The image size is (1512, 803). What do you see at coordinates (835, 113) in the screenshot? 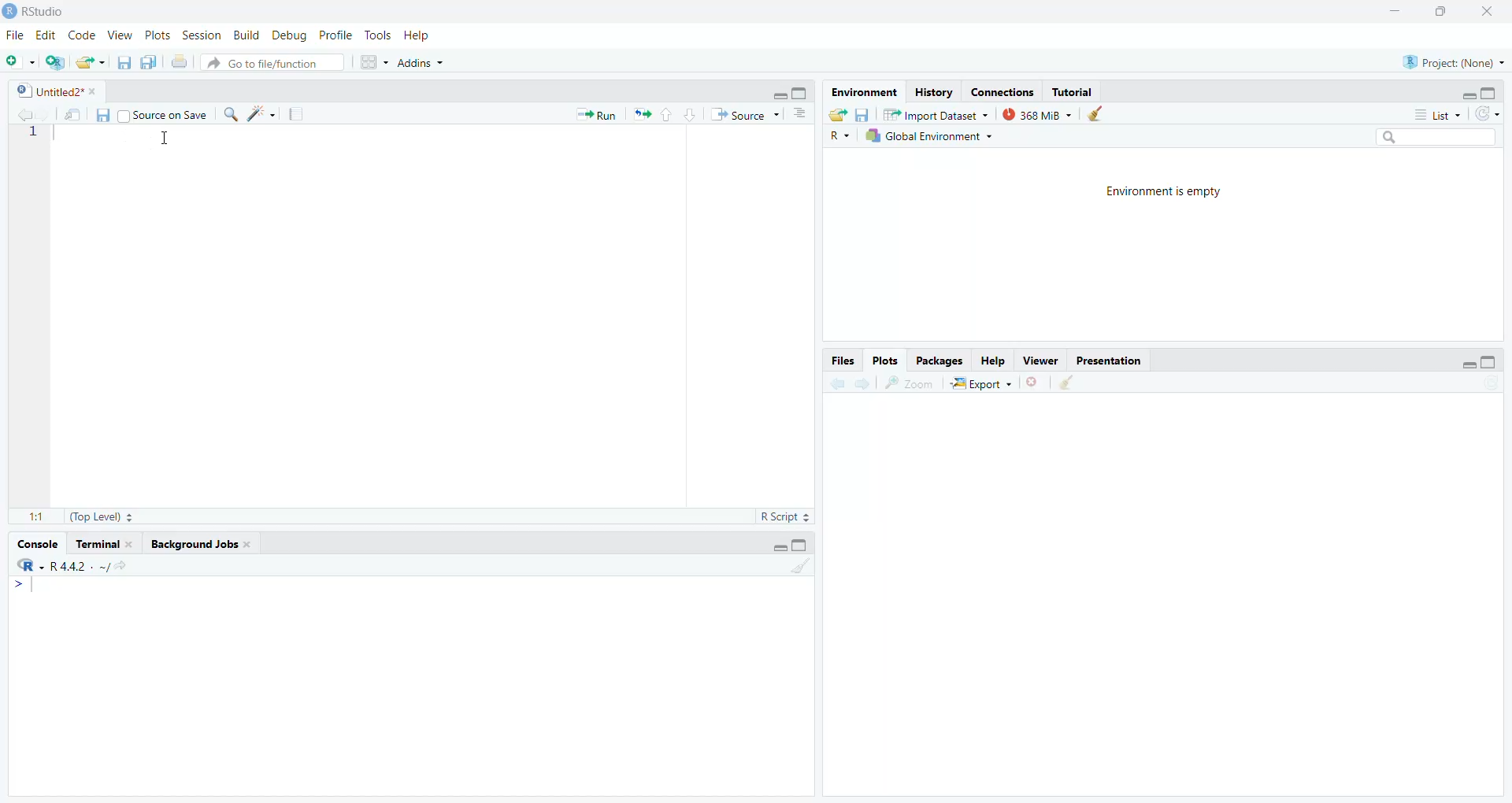
I see `export` at bounding box center [835, 113].